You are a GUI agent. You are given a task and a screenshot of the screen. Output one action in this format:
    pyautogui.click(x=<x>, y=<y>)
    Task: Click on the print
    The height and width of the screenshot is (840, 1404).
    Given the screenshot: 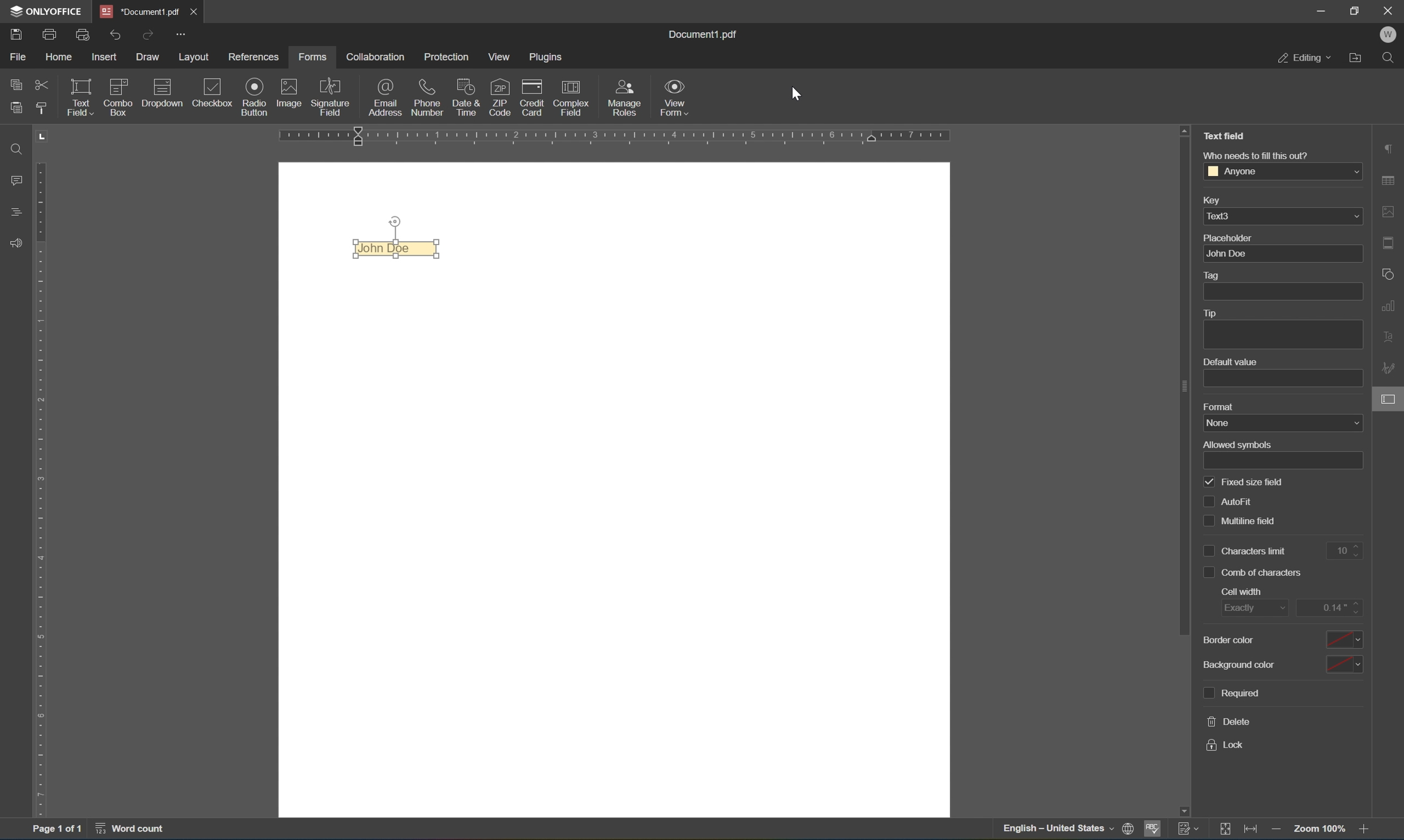 What is the action you would take?
    pyautogui.click(x=1125, y=828)
    